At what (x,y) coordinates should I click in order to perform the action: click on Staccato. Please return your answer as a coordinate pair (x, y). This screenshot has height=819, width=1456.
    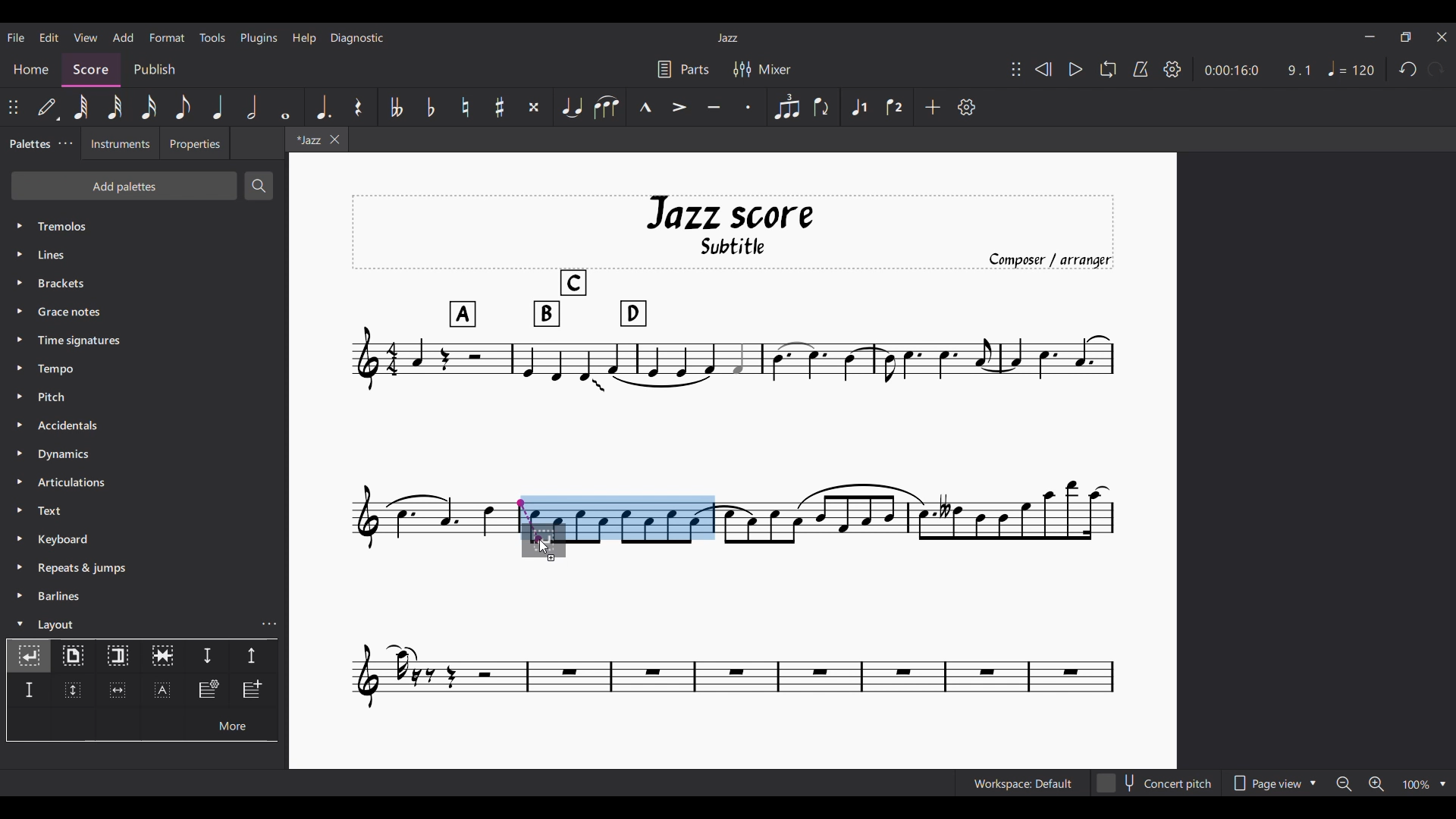
    Looking at the image, I should click on (748, 107).